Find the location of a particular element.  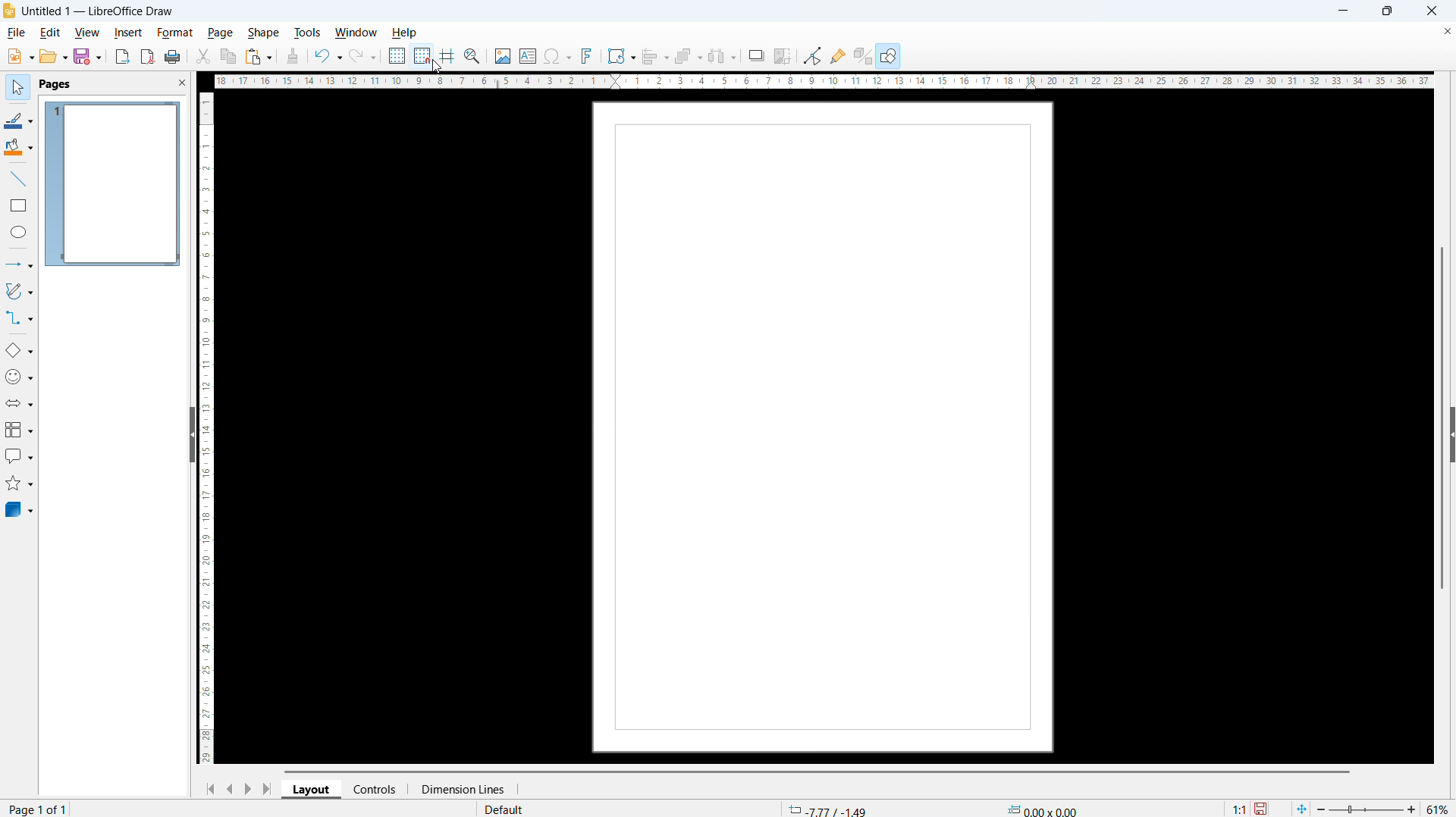

Page  is located at coordinates (823, 426).